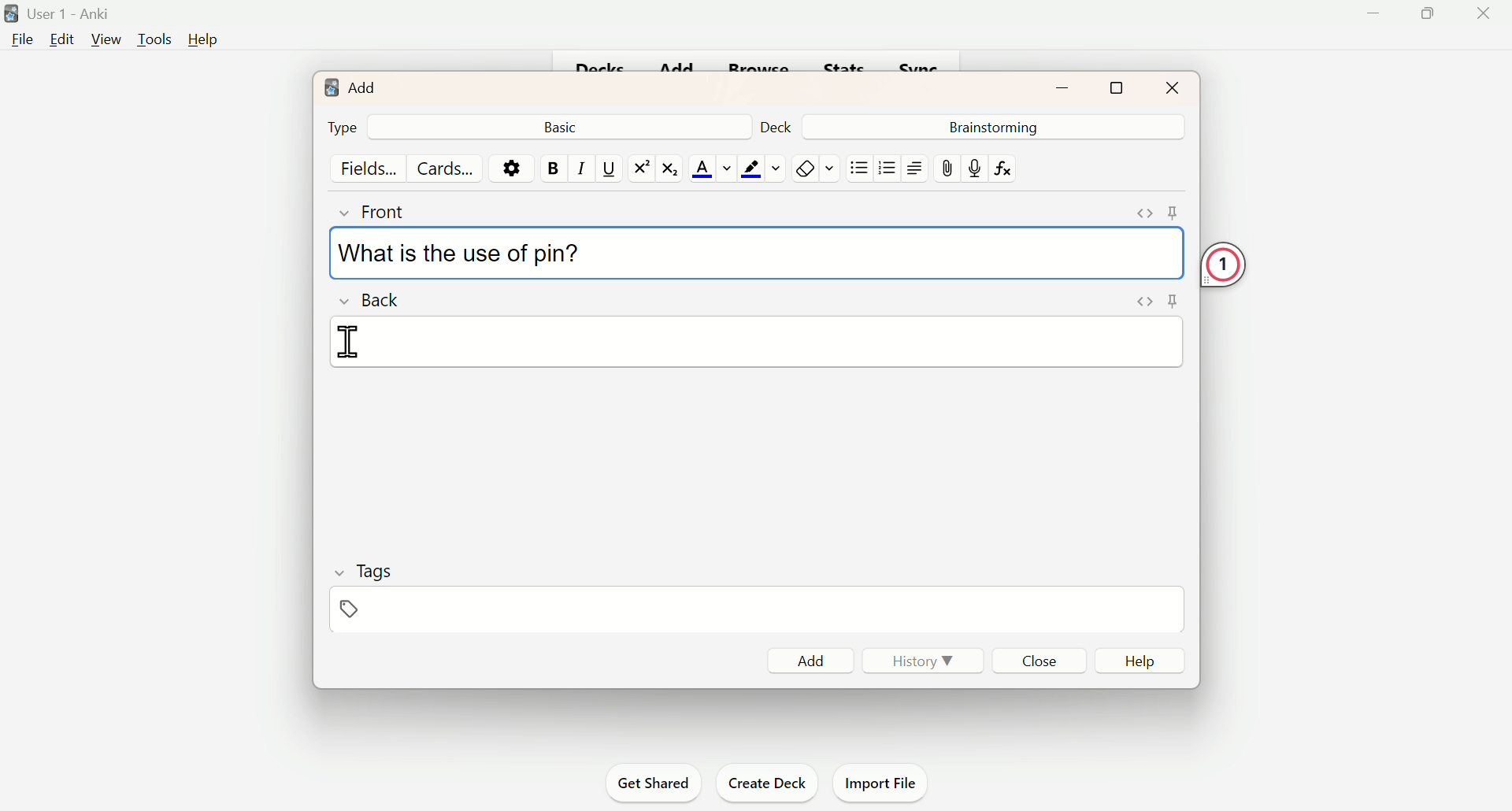 This screenshot has width=1512, height=811. What do you see at coordinates (608, 167) in the screenshot?
I see `Underline` at bounding box center [608, 167].